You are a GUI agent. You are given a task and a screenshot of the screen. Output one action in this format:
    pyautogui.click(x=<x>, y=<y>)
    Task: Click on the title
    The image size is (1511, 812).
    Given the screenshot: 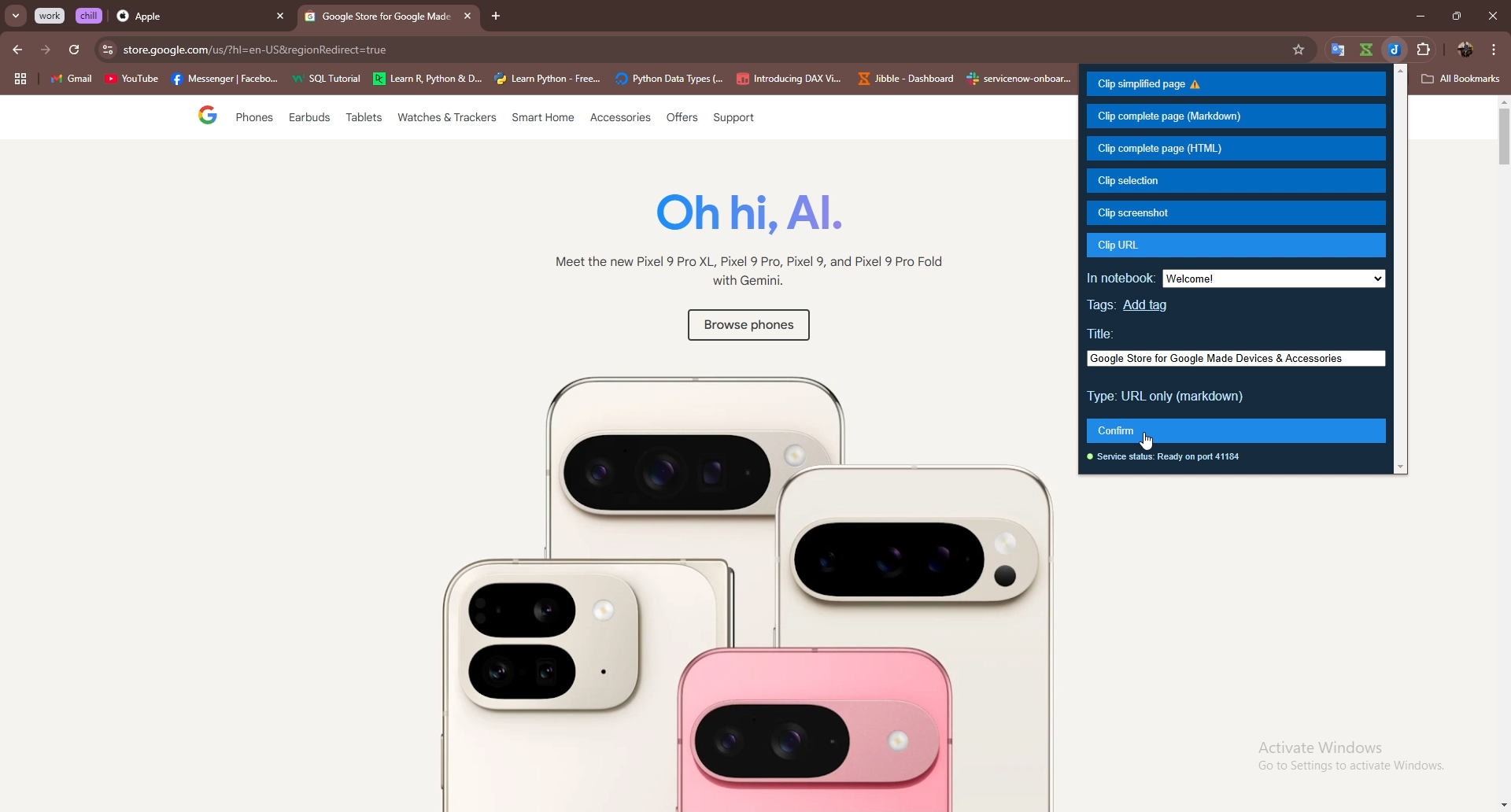 What is the action you would take?
    pyautogui.click(x=1103, y=332)
    